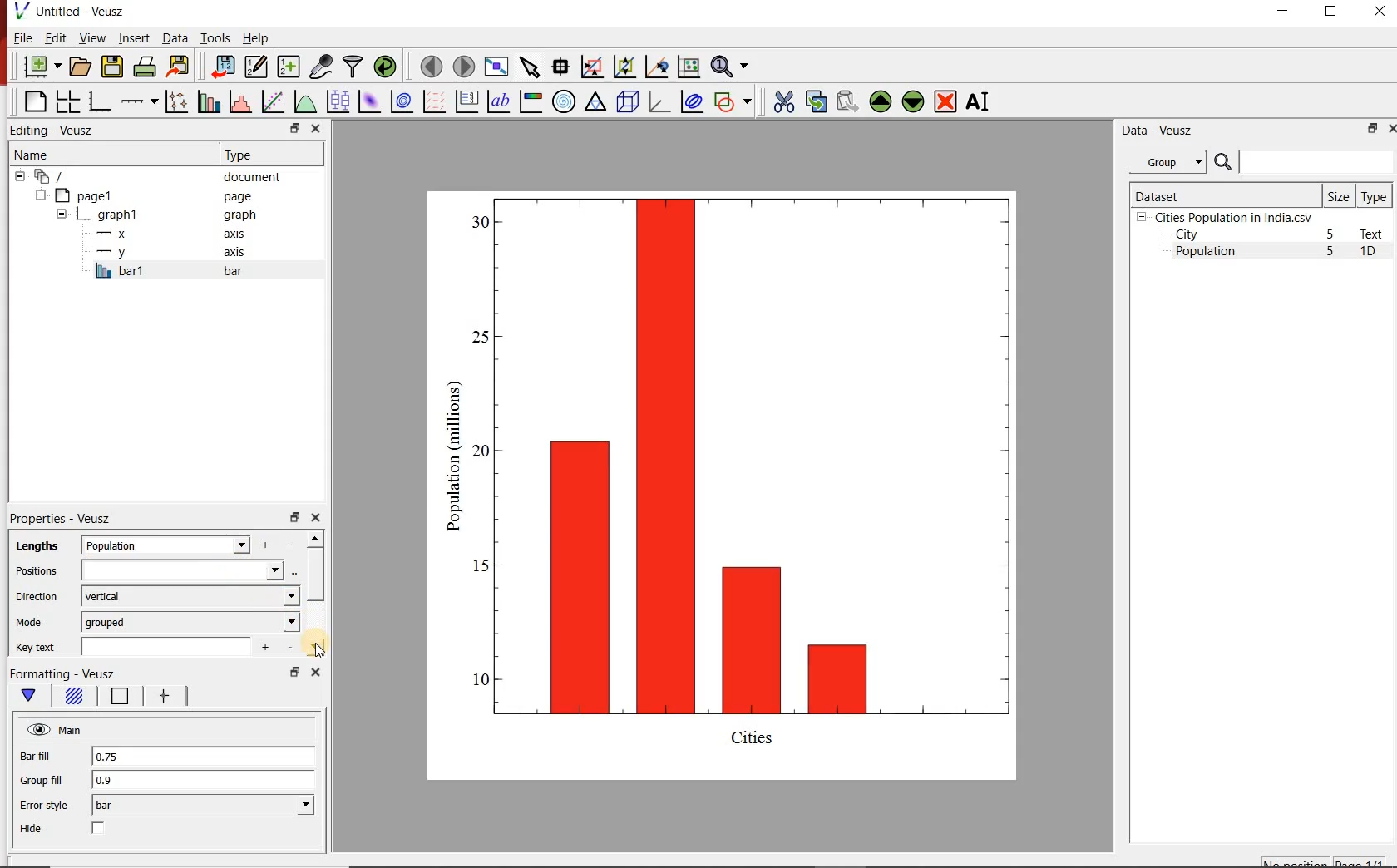 The width and height of the screenshot is (1397, 868). Describe the element at coordinates (32, 696) in the screenshot. I see `Main formatting` at that location.